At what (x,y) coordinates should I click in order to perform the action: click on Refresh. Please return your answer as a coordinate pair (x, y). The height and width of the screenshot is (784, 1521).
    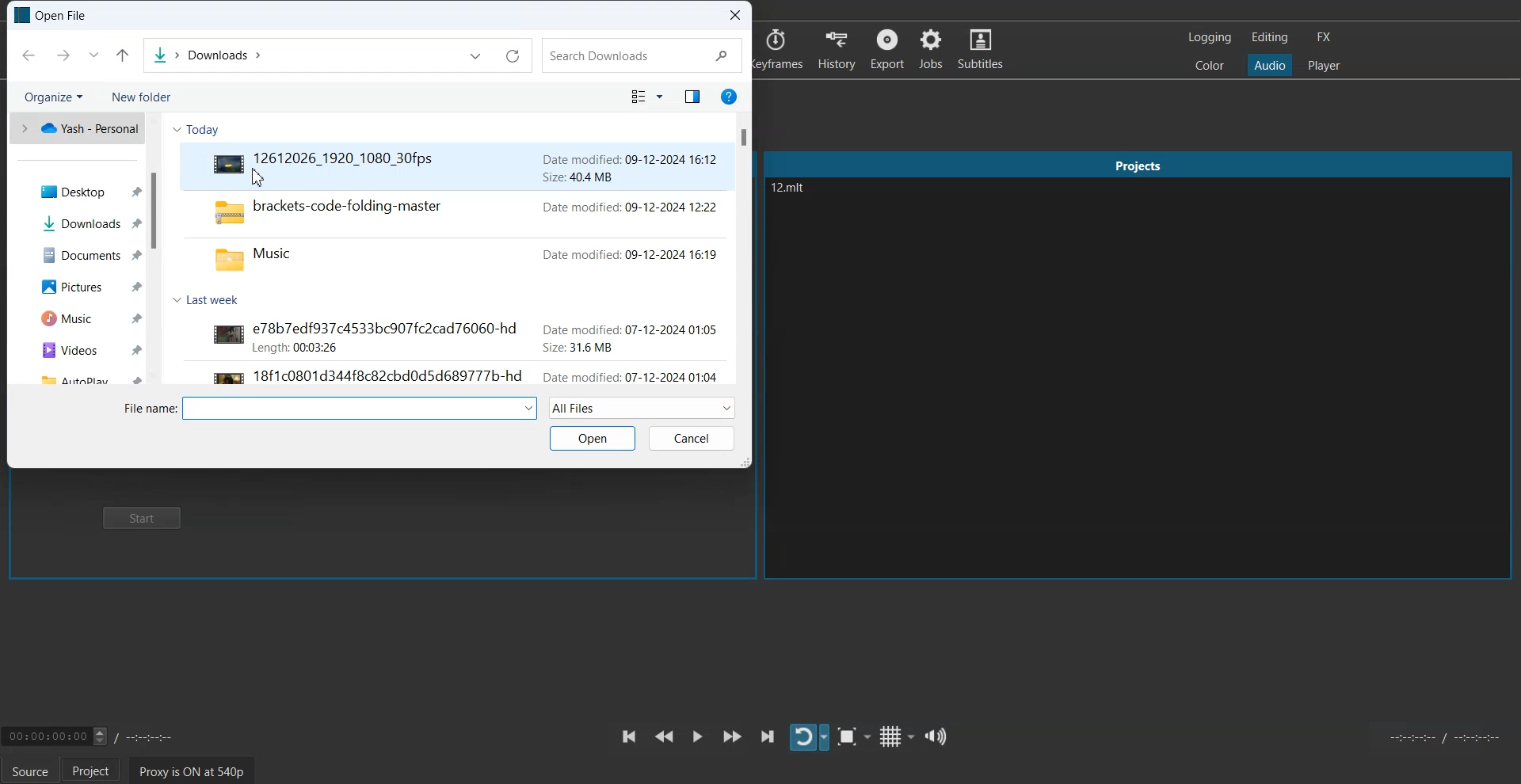
    Looking at the image, I should click on (513, 57).